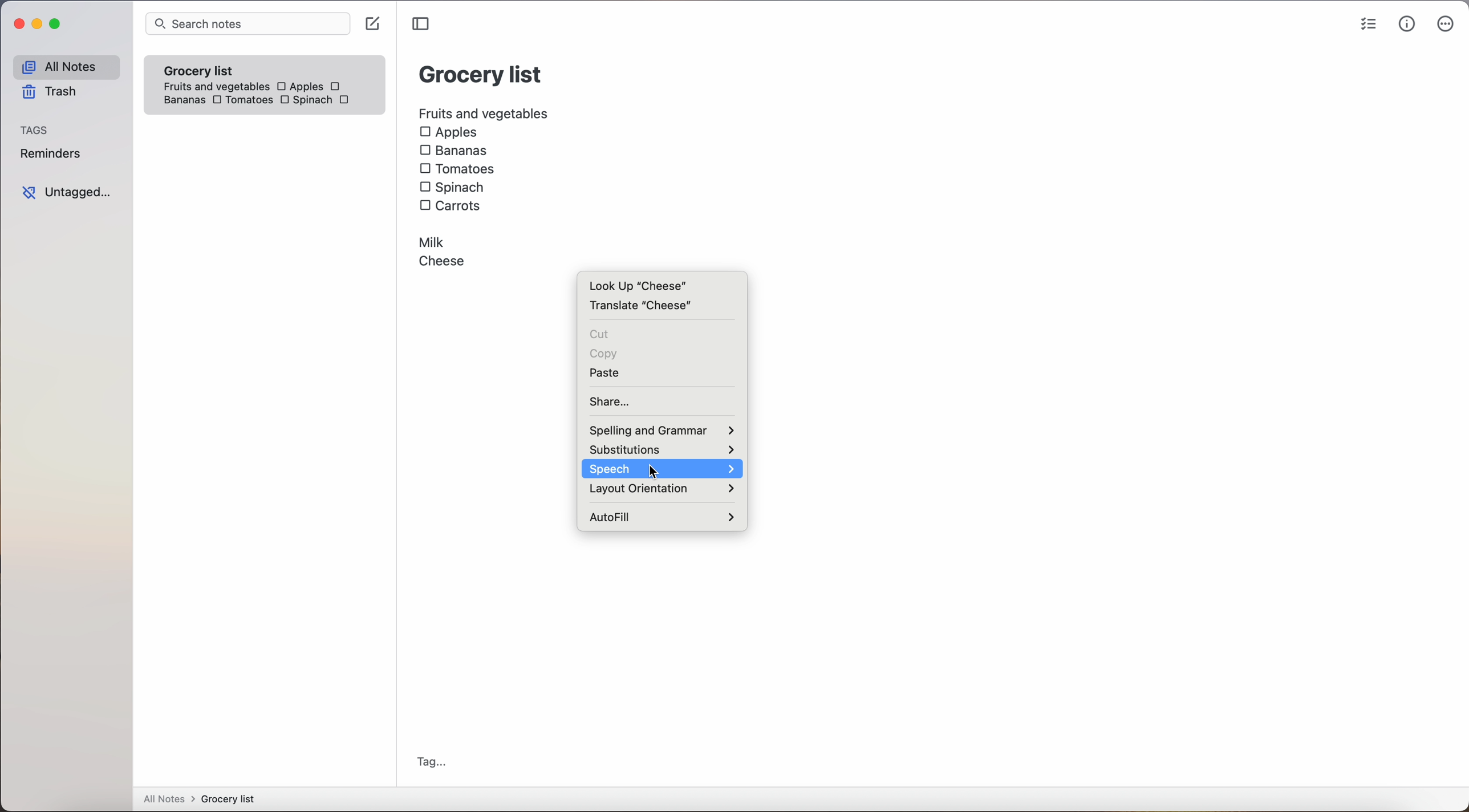 This screenshot has height=812, width=1469. Describe the element at coordinates (48, 94) in the screenshot. I see `trash` at that location.